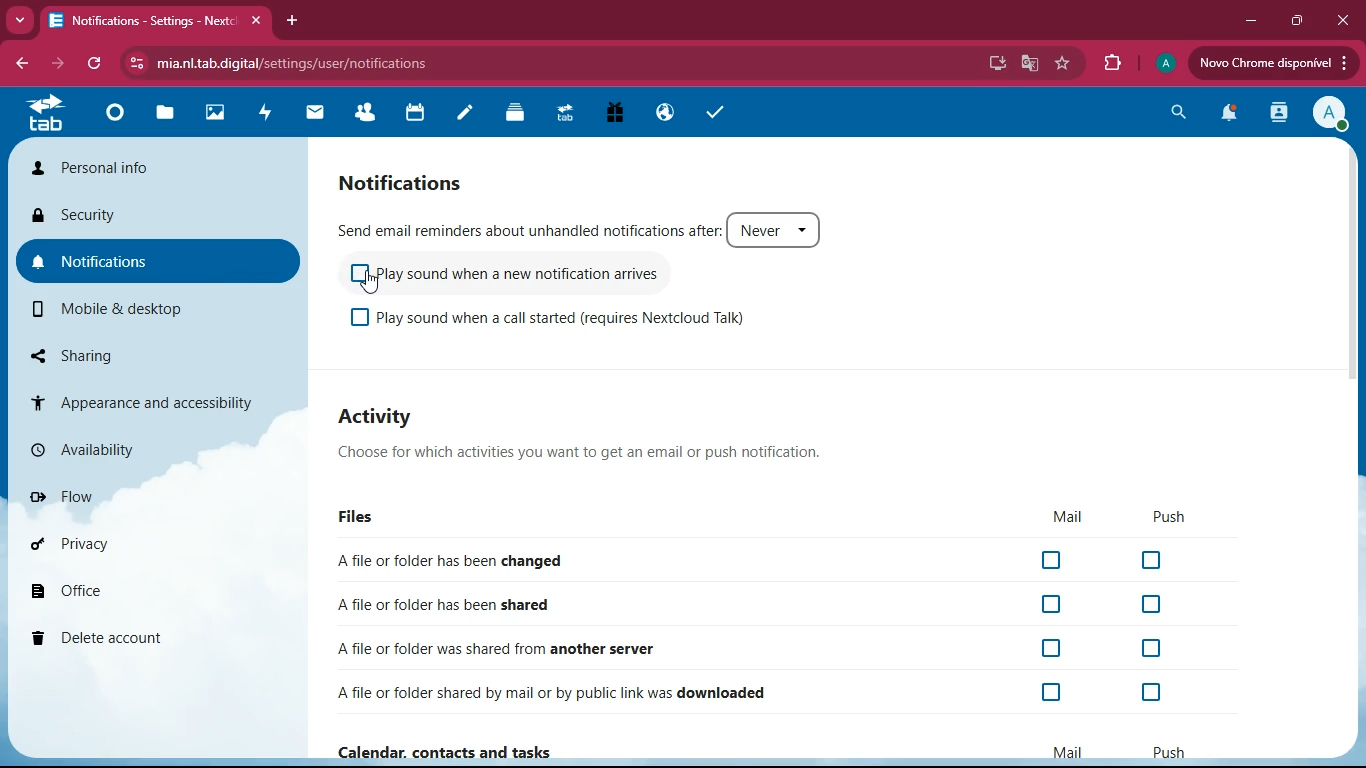  What do you see at coordinates (1063, 64) in the screenshot?
I see `favourite` at bounding box center [1063, 64].